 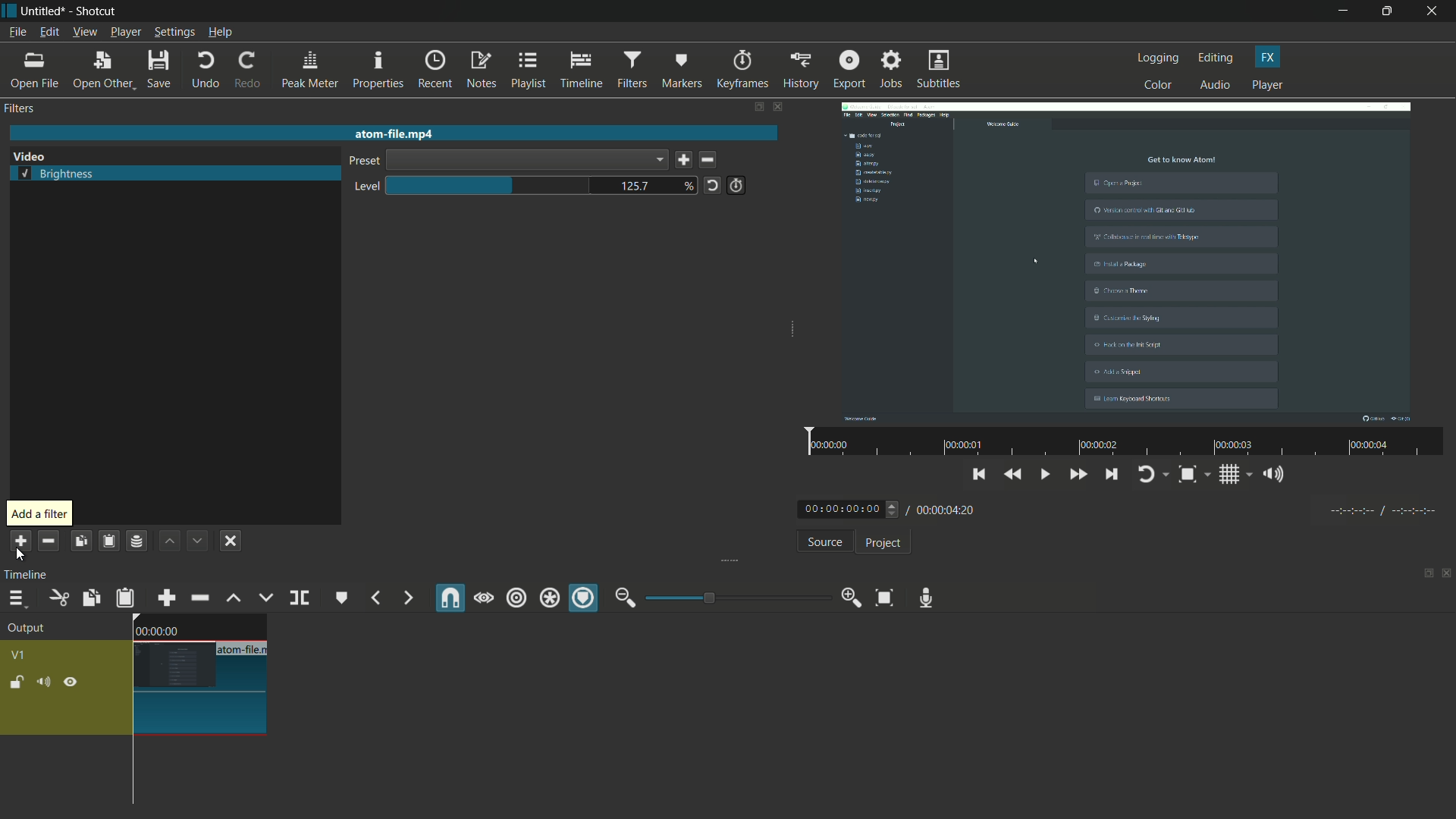 I want to click on / 00:00:04:20 (total time), so click(x=943, y=507).